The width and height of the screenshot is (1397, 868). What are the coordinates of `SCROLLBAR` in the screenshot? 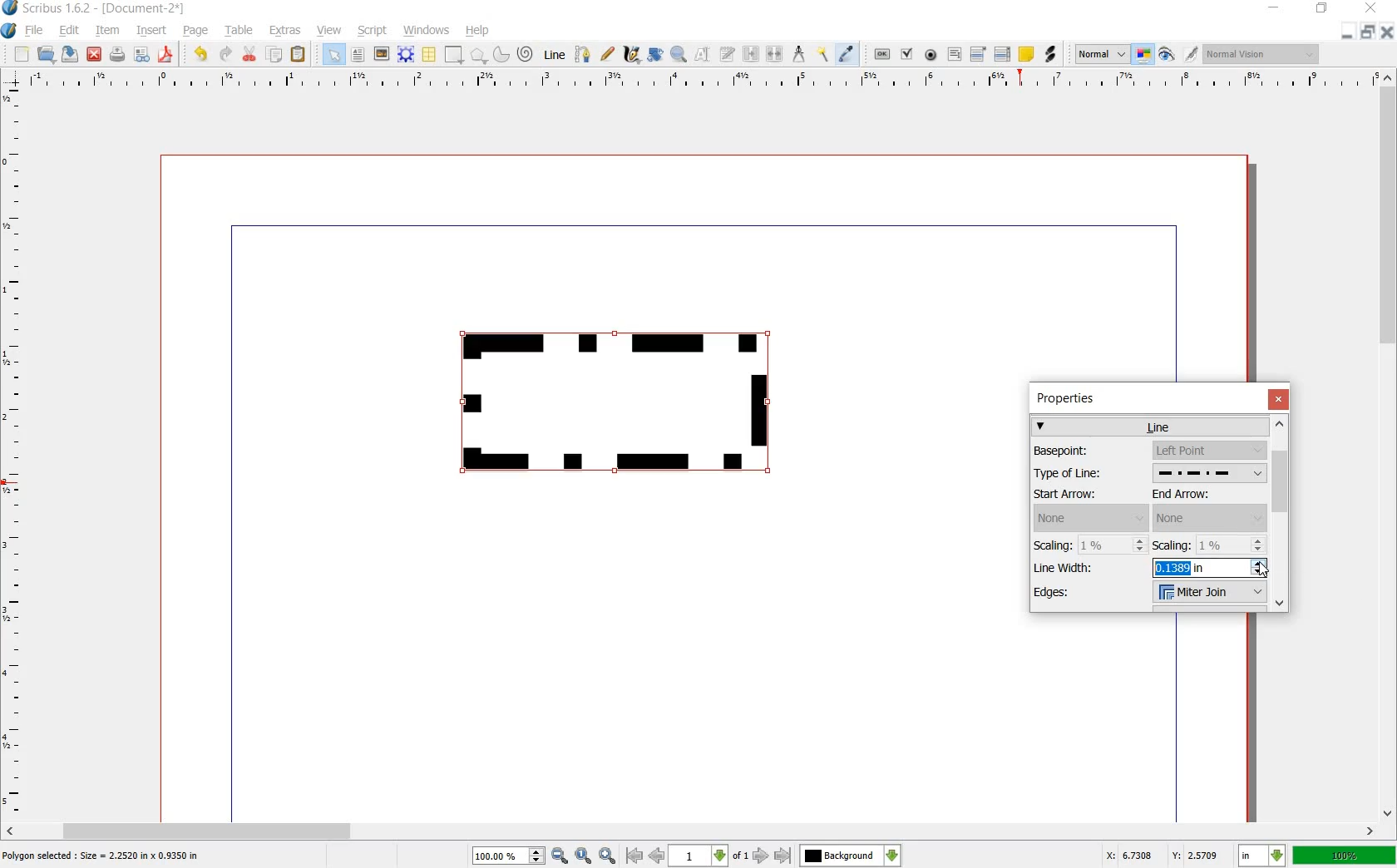 It's located at (1389, 446).